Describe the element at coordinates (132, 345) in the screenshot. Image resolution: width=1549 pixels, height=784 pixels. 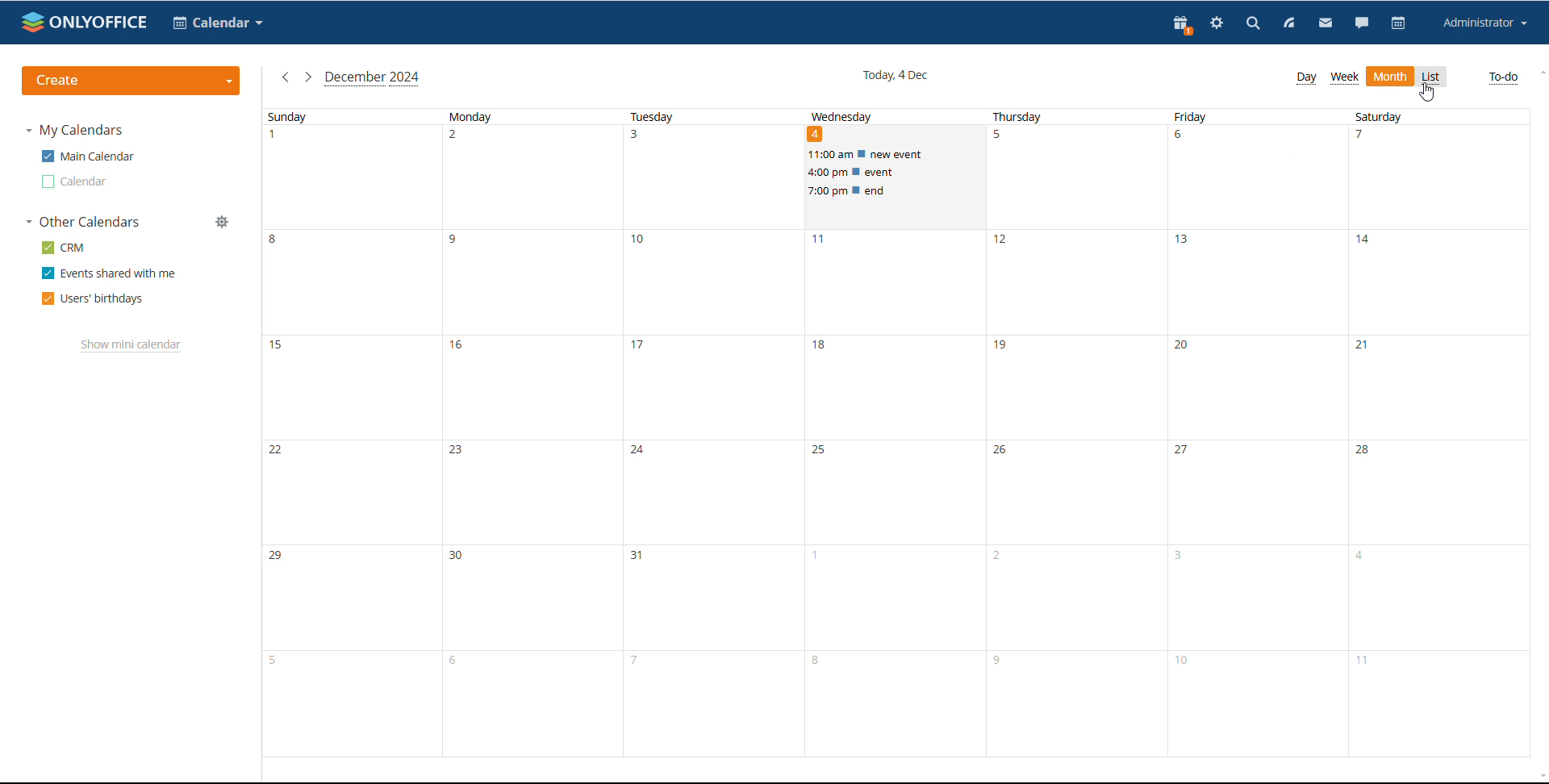
I see `show mini calendar` at that location.